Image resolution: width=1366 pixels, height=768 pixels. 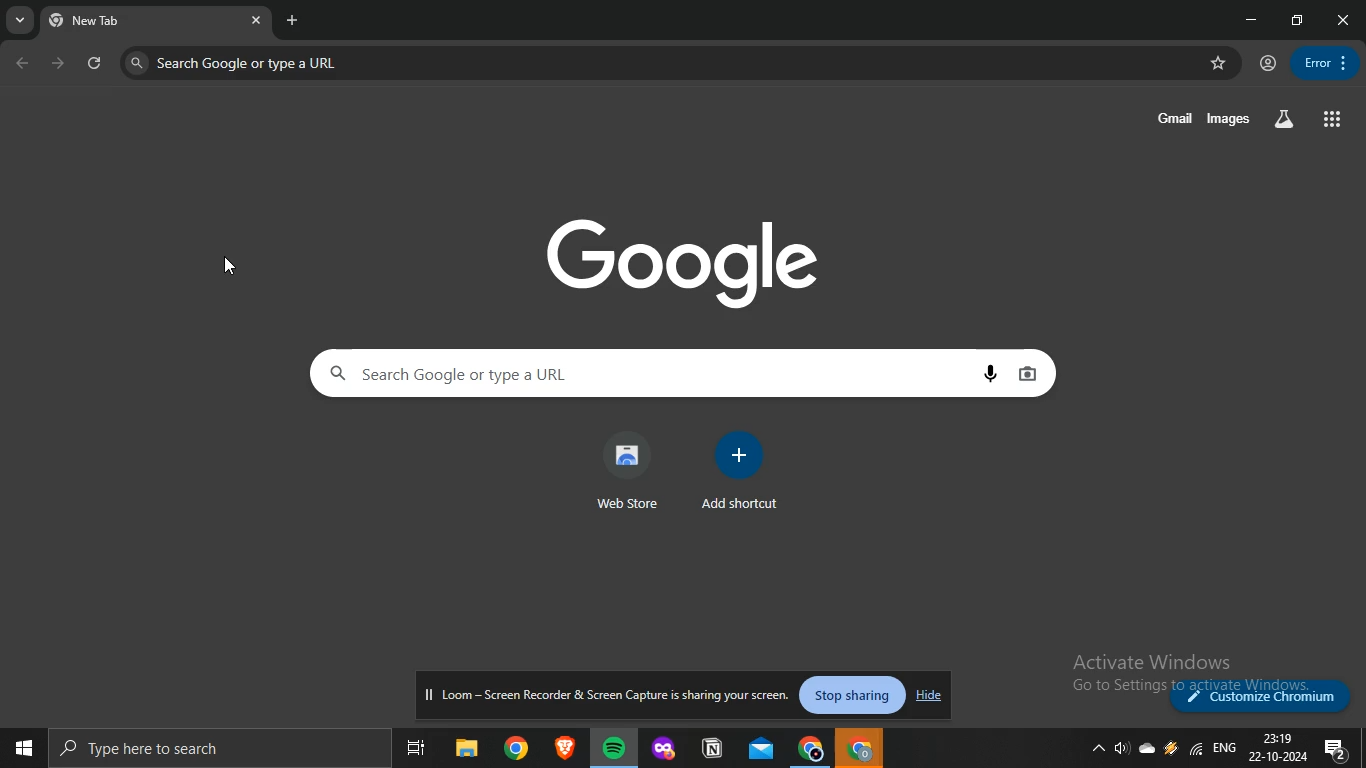 I want to click on type here to search, so click(x=211, y=748).